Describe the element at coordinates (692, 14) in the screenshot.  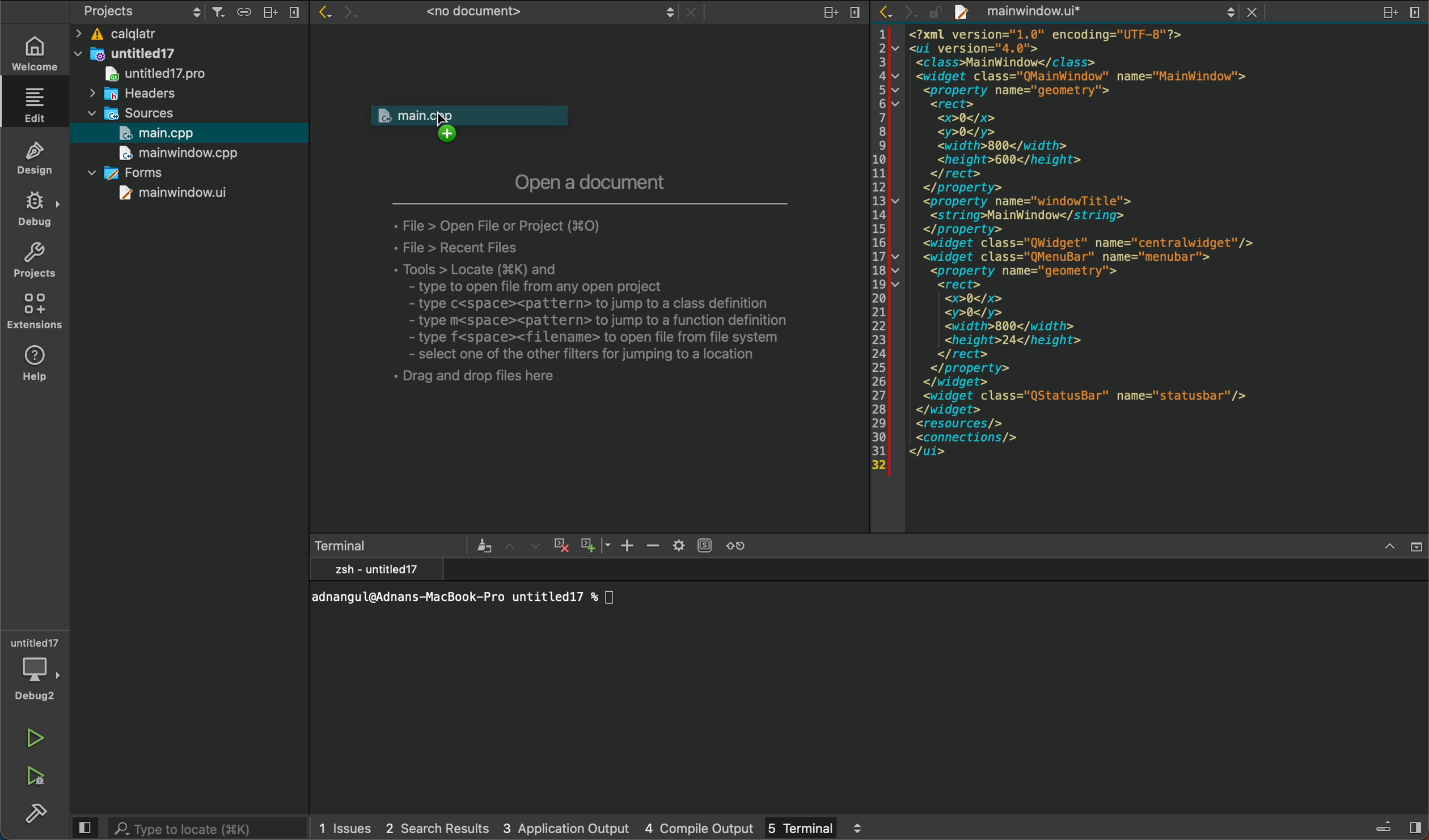
I see `close document` at that location.